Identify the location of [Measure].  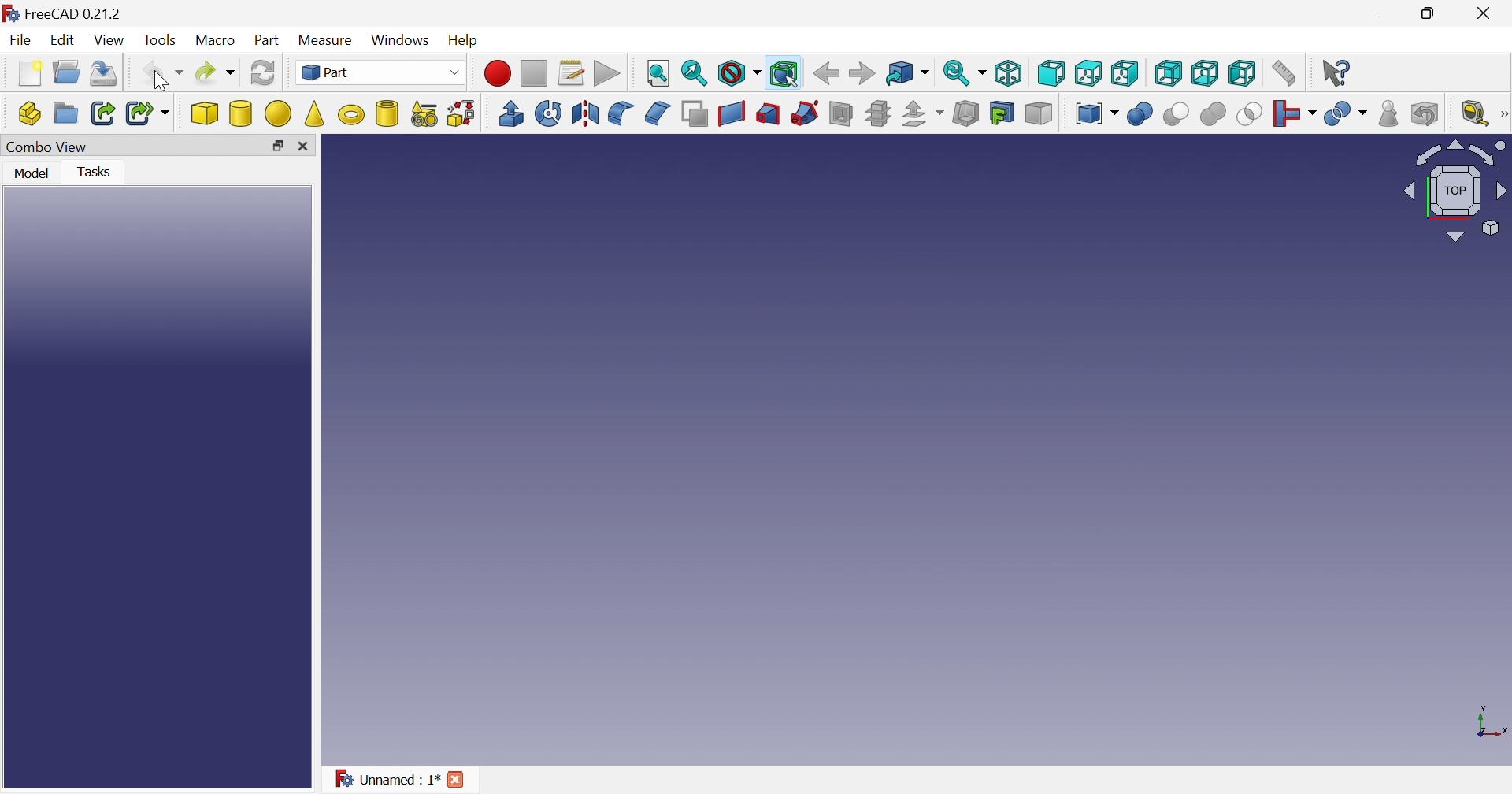
(1503, 113).